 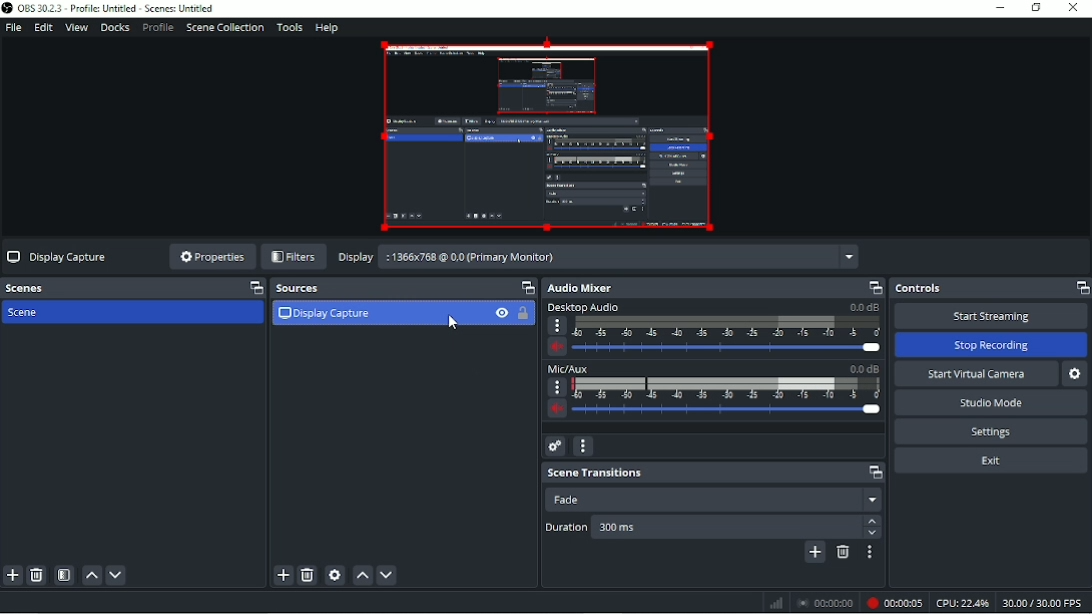 I want to click on Advanced audio properties, so click(x=555, y=446).